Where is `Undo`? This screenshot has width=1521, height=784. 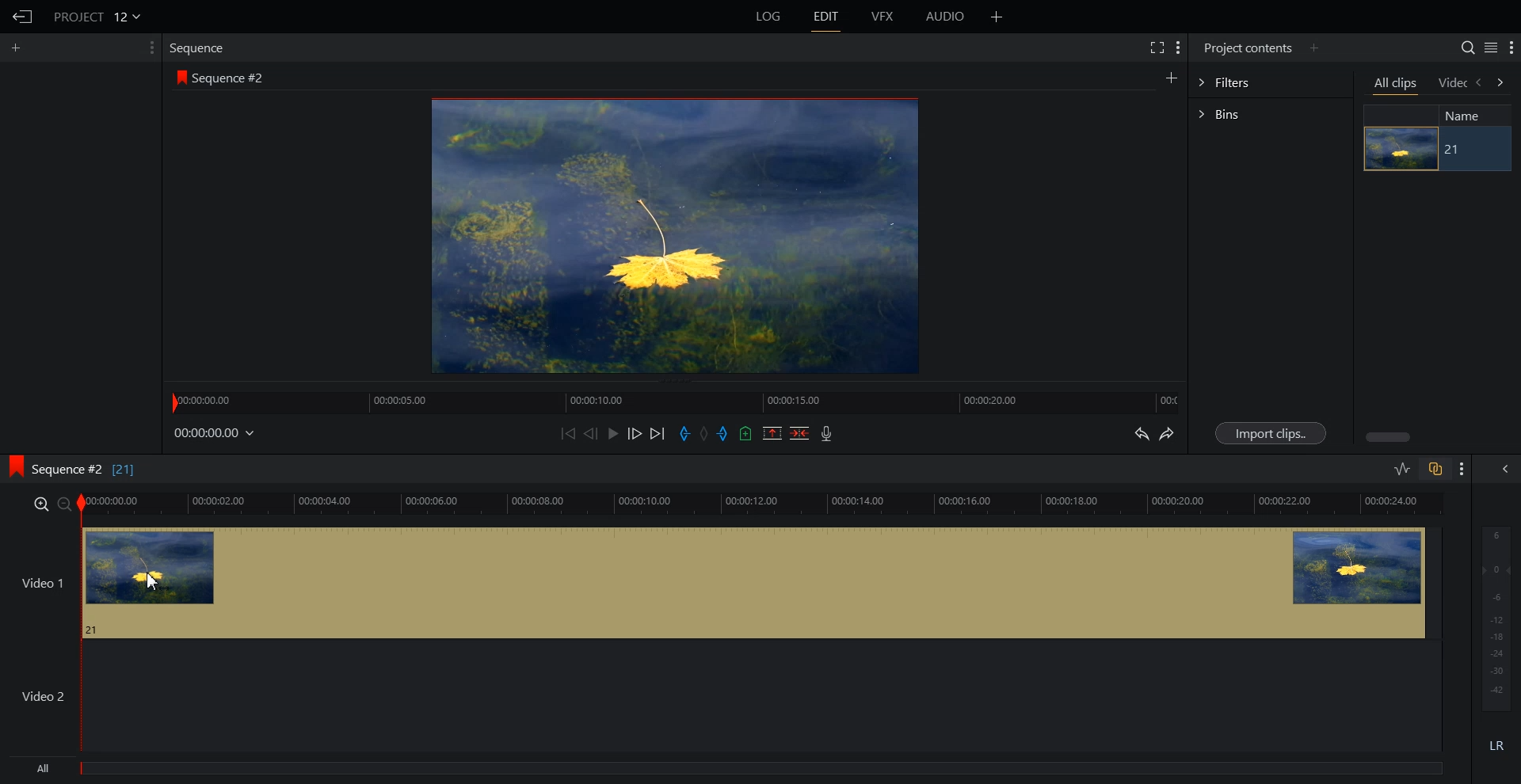 Undo is located at coordinates (1141, 433).